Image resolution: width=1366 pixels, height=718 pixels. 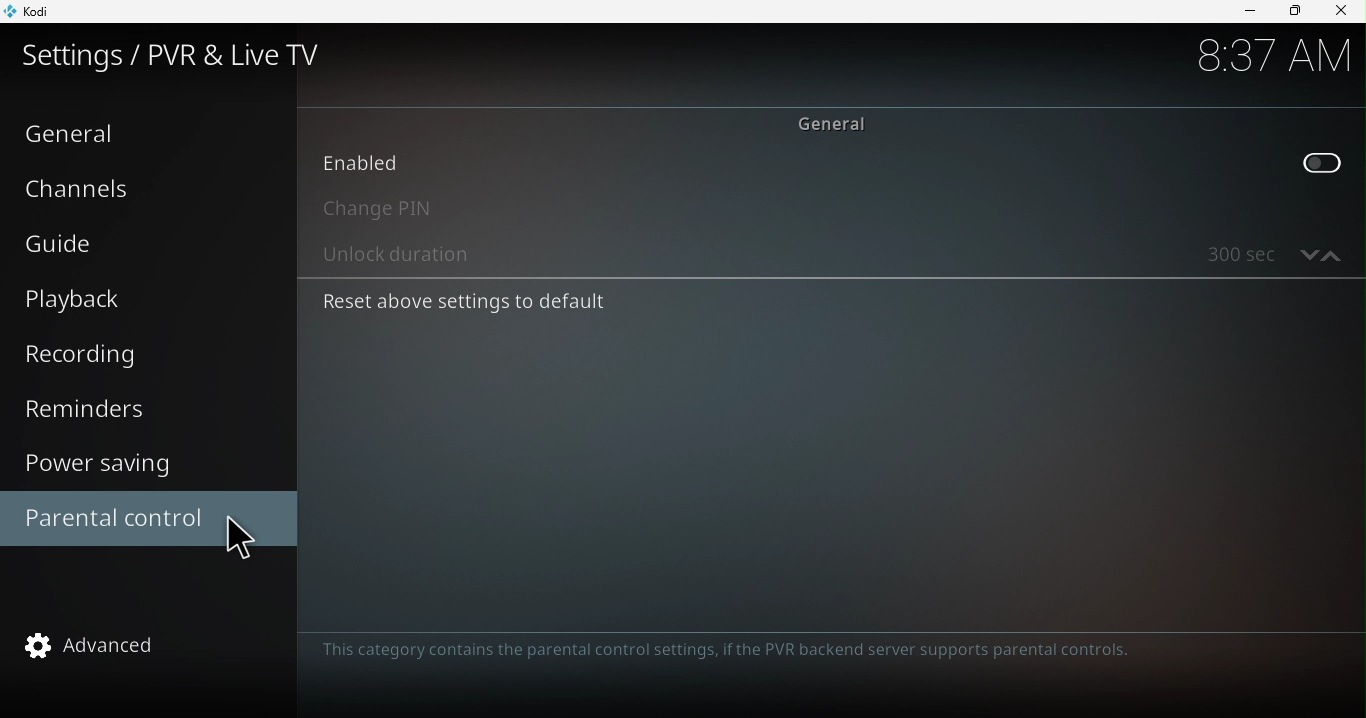 What do you see at coordinates (113, 517) in the screenshot?
I see `Parental control` at bounding box center [113, 517].